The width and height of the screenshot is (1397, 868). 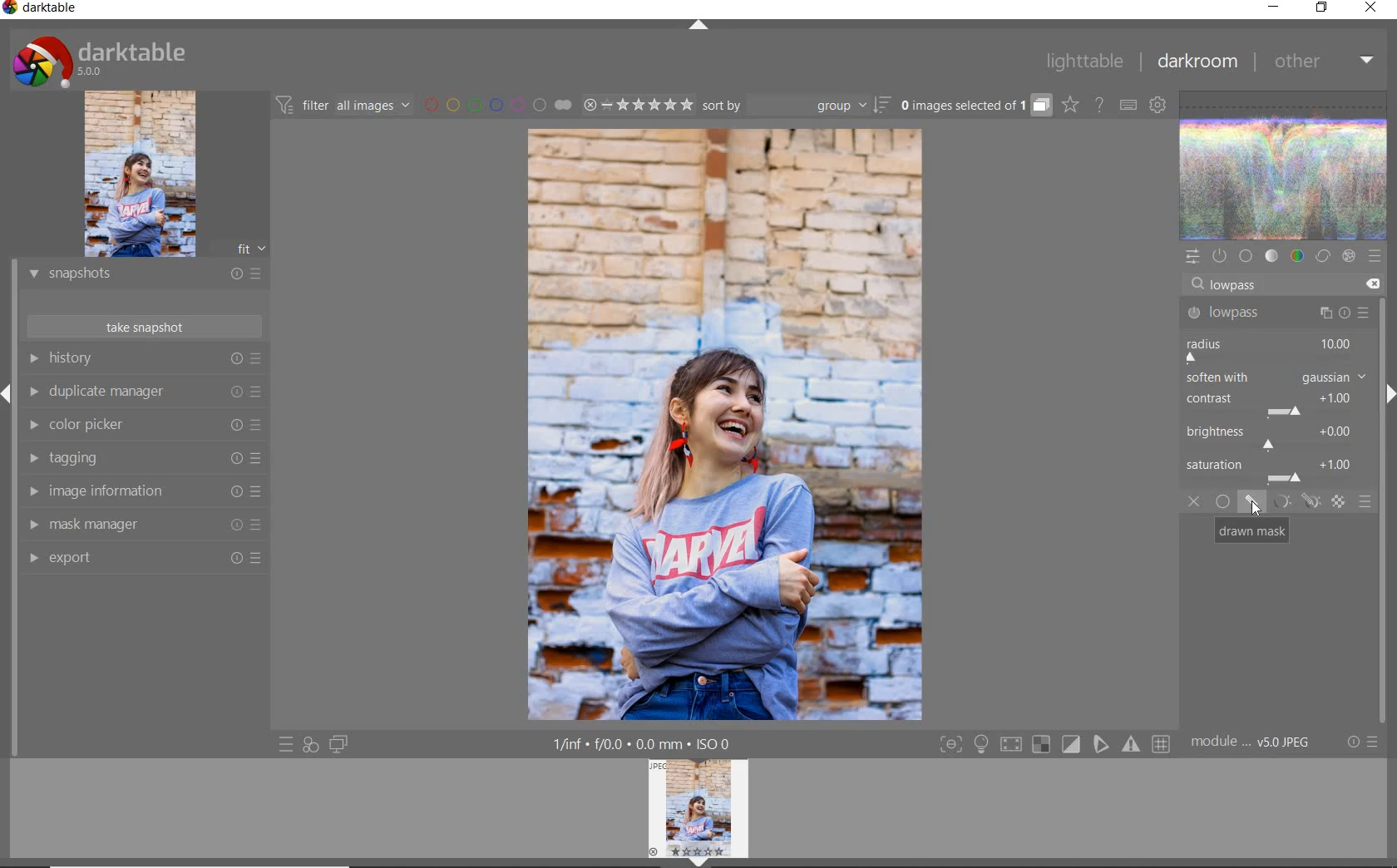 What do you see at coordinates (1127, 104) in the screenshot?
I see `set keyboard shortcuts` at bounding box center [1127, 104].